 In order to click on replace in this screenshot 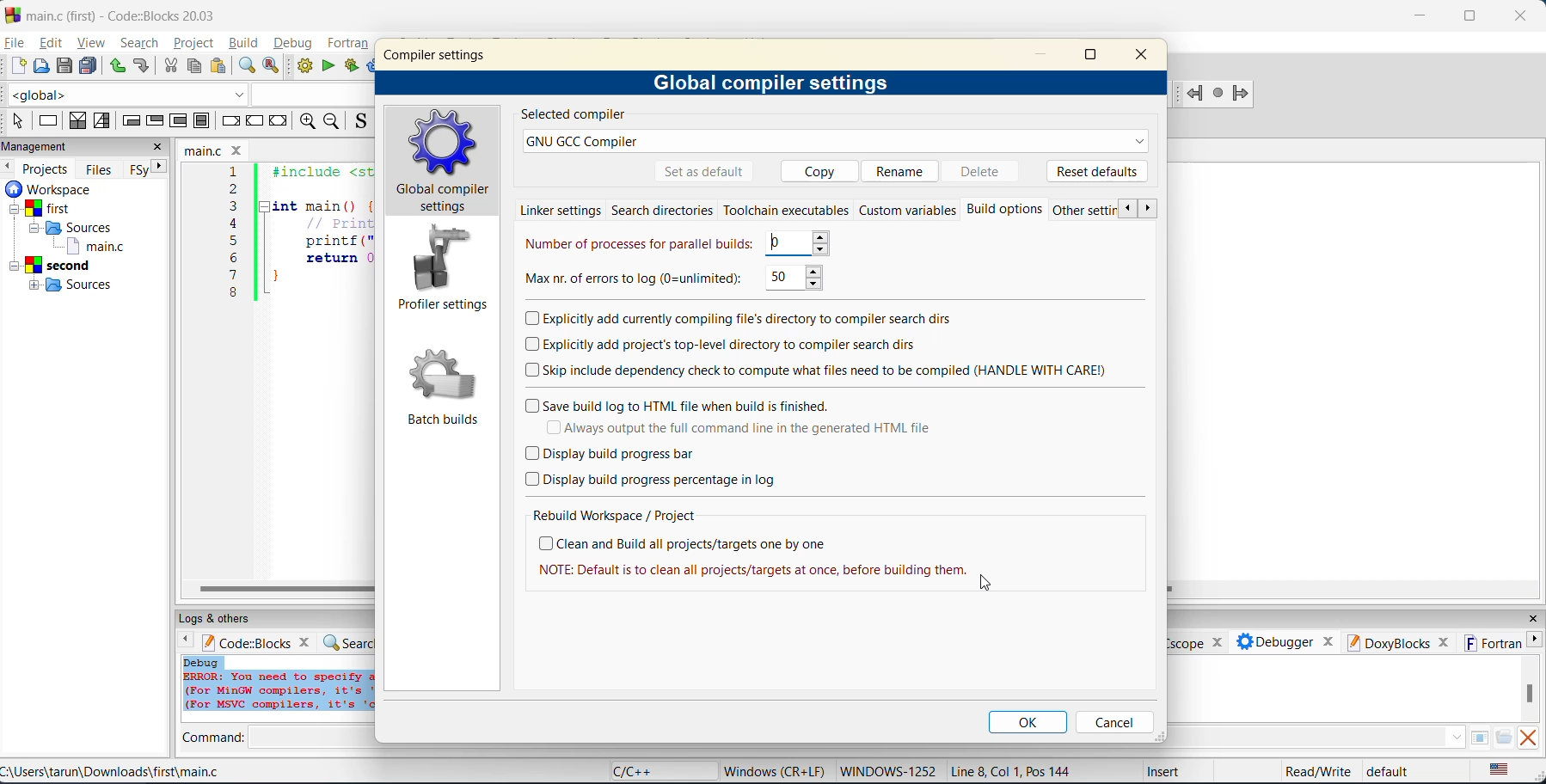, I will do `click(273, 67)`.